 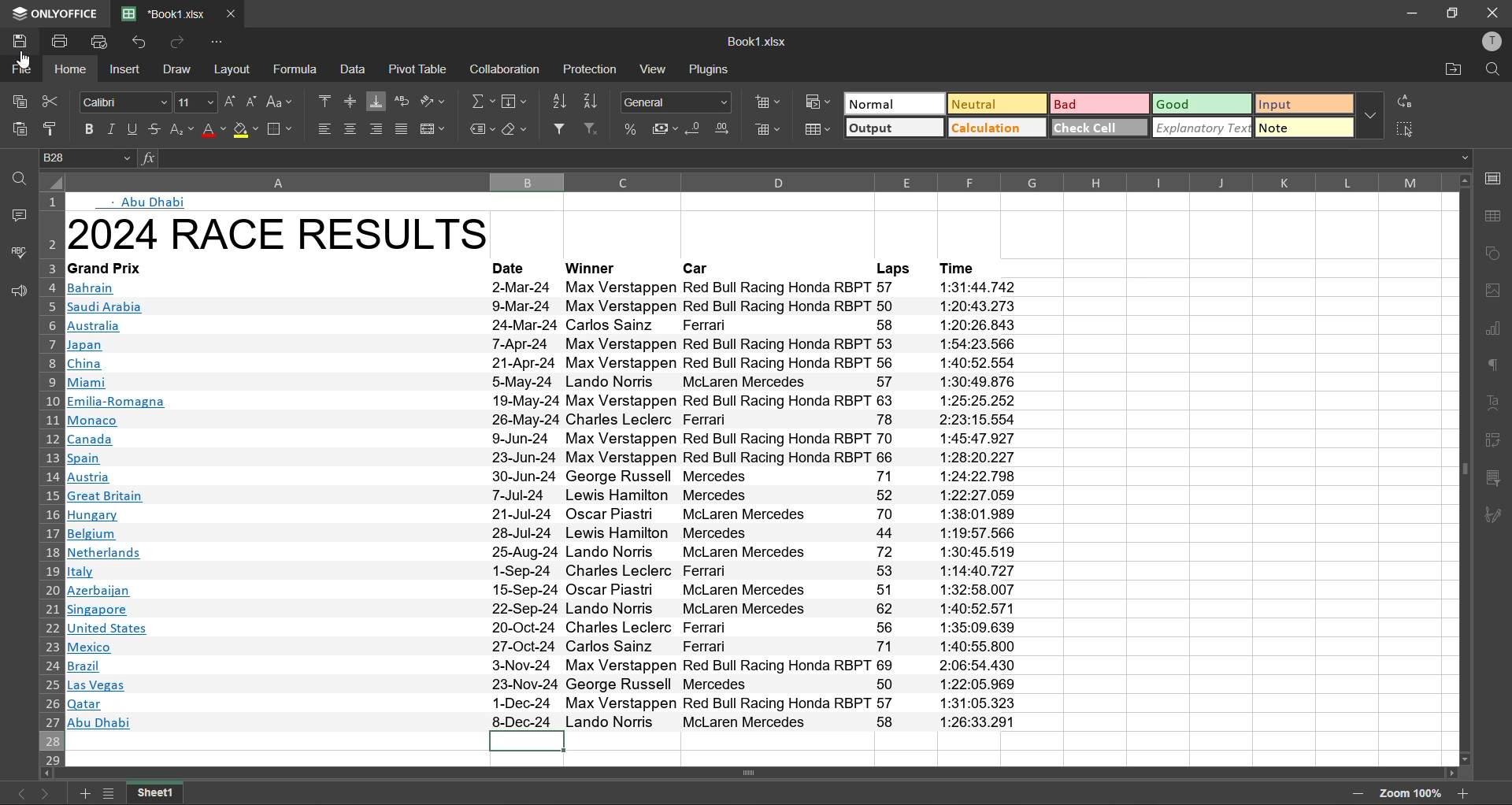 What do you see at coordinates (15, 129) in the screenshot?
I see `paste` at bounding box center [15, 129].